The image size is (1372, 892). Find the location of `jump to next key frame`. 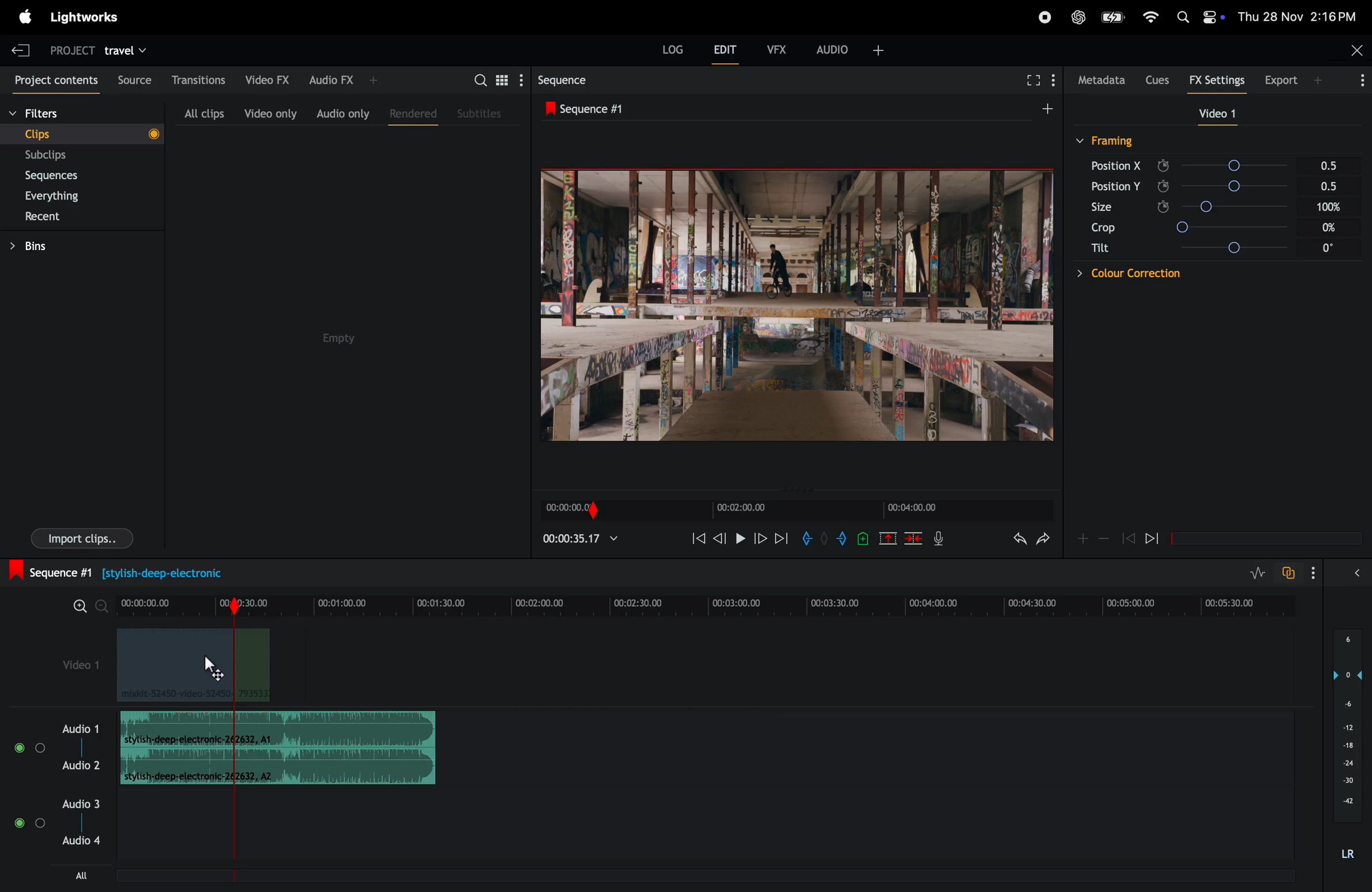

jump to next key frame is located at coordinates (1162, 539).